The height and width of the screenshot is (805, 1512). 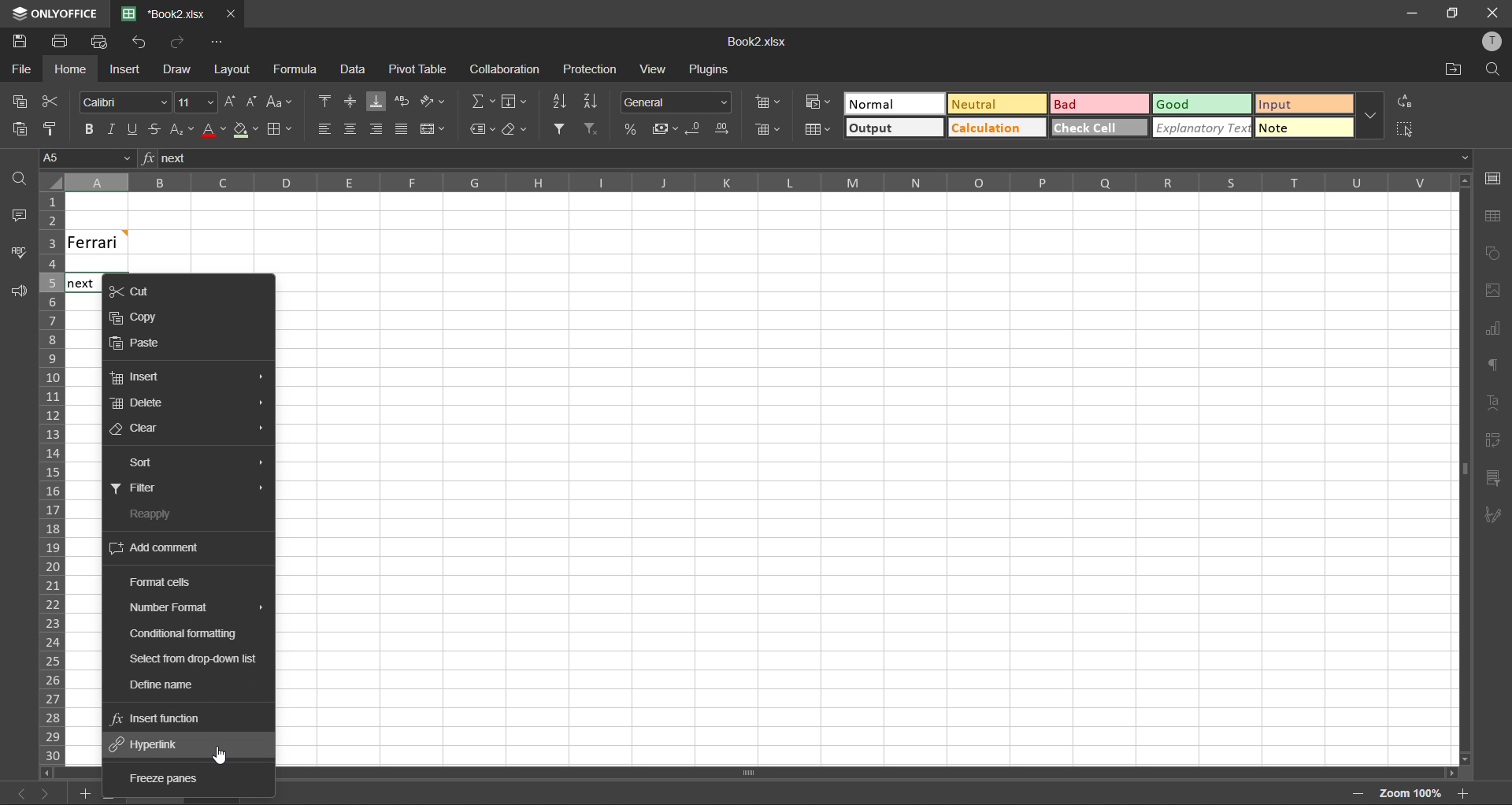 What do you see at coordinates (21, 295) in the screenshot?
I see `feedback` at bounding box center [21, 295].